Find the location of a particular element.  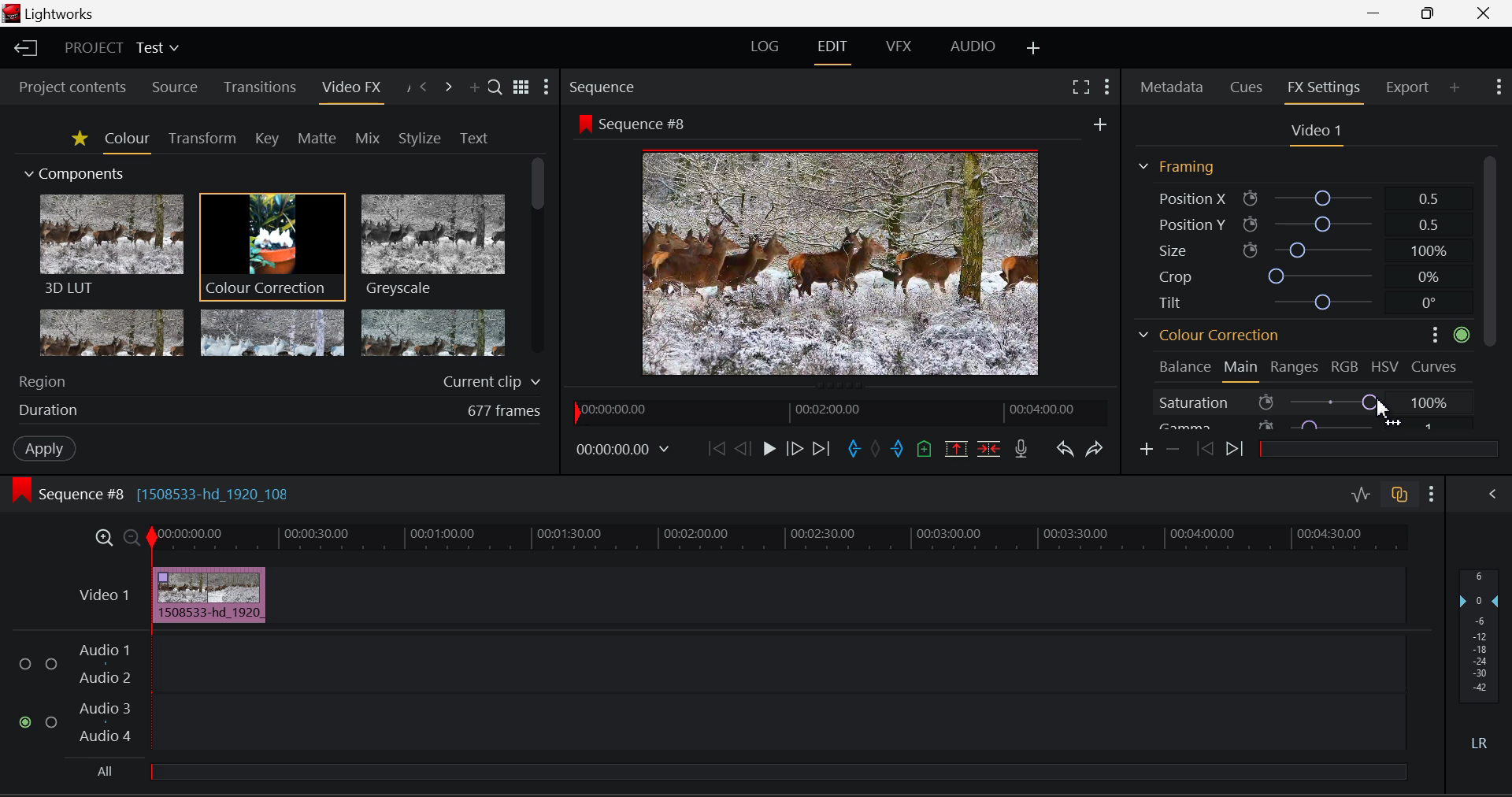

Tilt is located at coordinates (1299, 301).